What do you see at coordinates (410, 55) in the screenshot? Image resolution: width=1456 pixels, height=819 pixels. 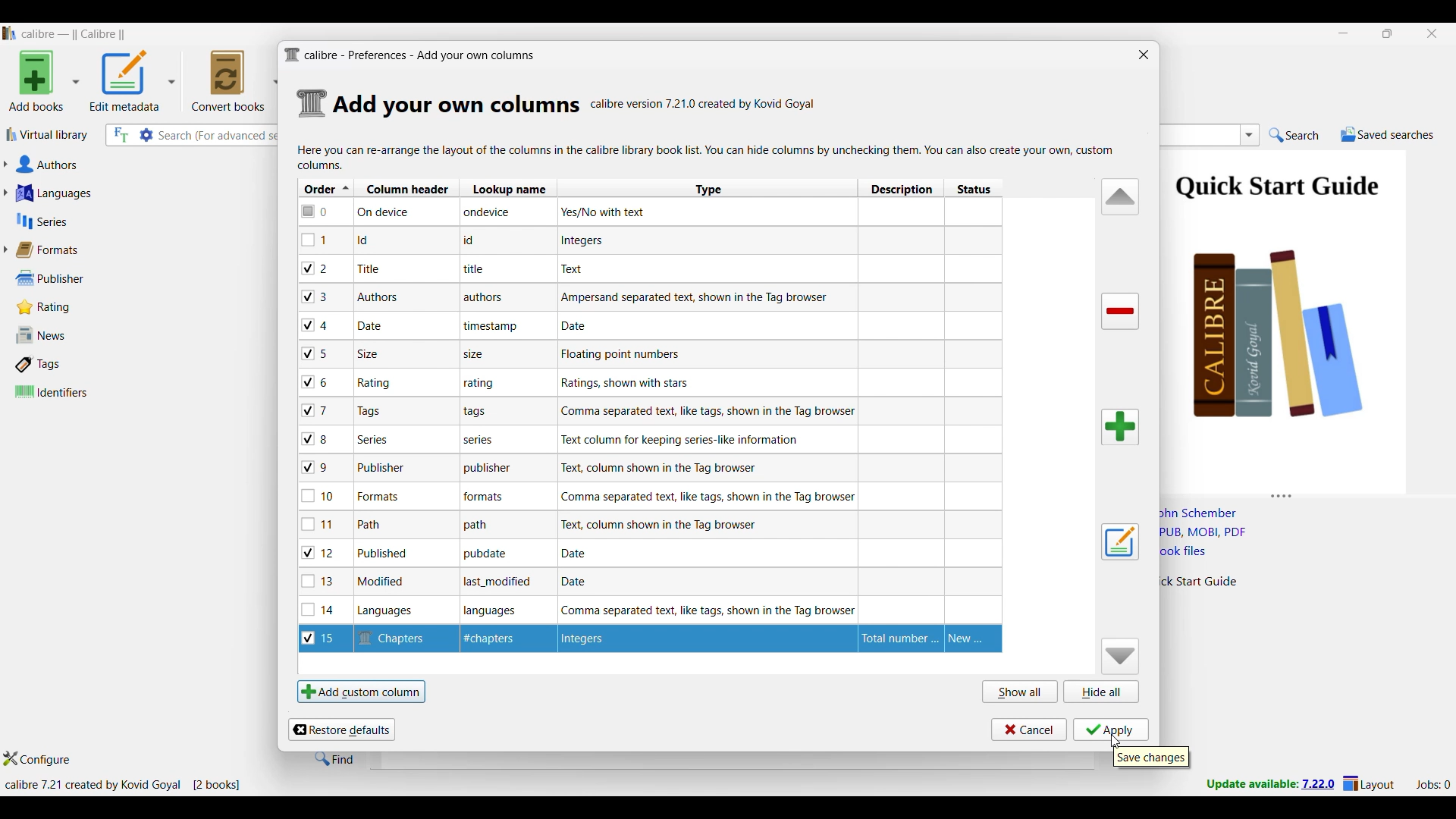 I see `Title and logo of current window` at bounding box center [410, 55].